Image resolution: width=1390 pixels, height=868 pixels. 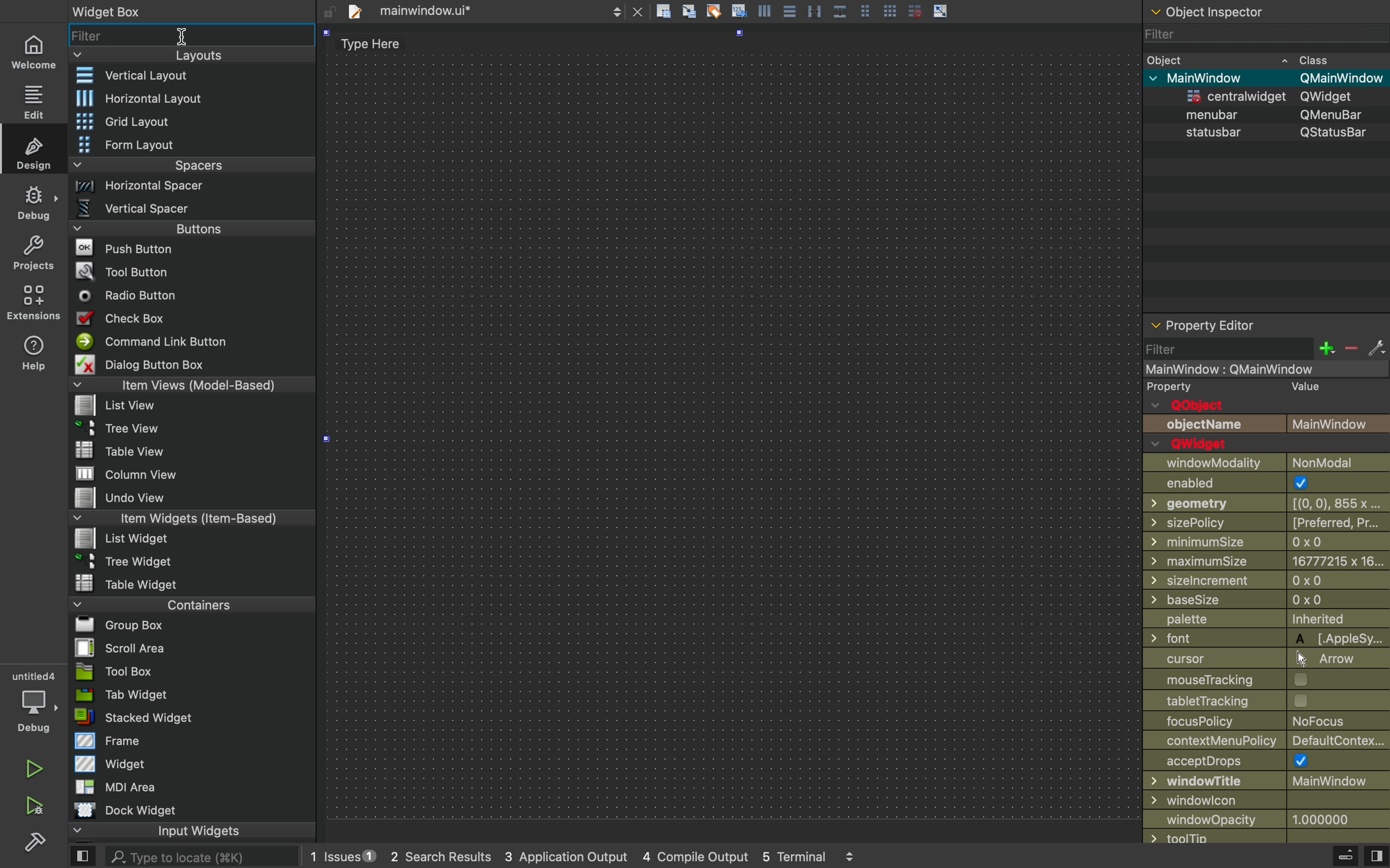 I want to click on Icon, so click(x=739, y=10).